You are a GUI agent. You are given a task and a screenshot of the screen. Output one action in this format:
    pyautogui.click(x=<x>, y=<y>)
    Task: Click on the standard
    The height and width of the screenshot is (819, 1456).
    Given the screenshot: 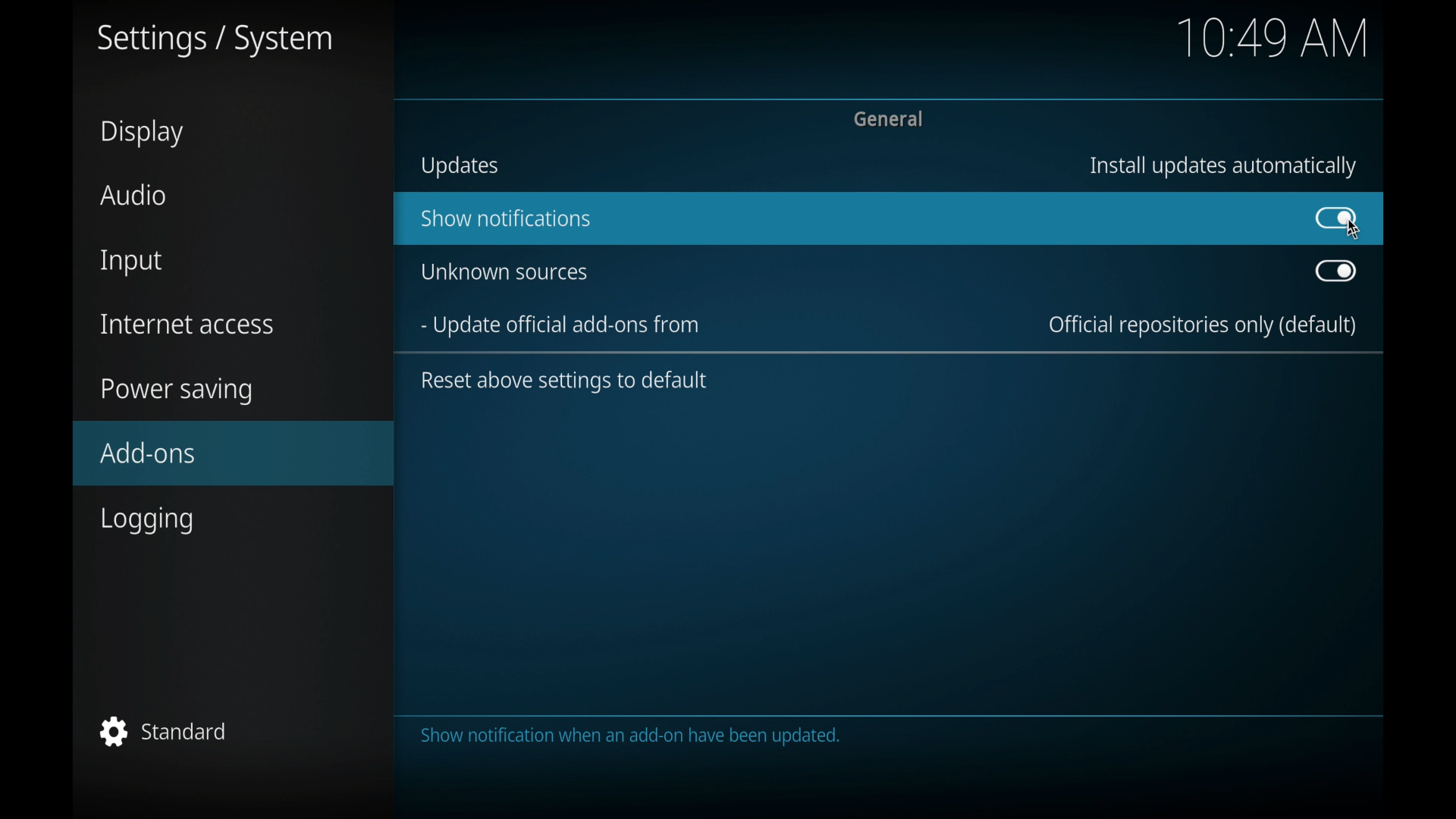 What is the action you would take?
    pyautogui.click(x=164, y=731)
    